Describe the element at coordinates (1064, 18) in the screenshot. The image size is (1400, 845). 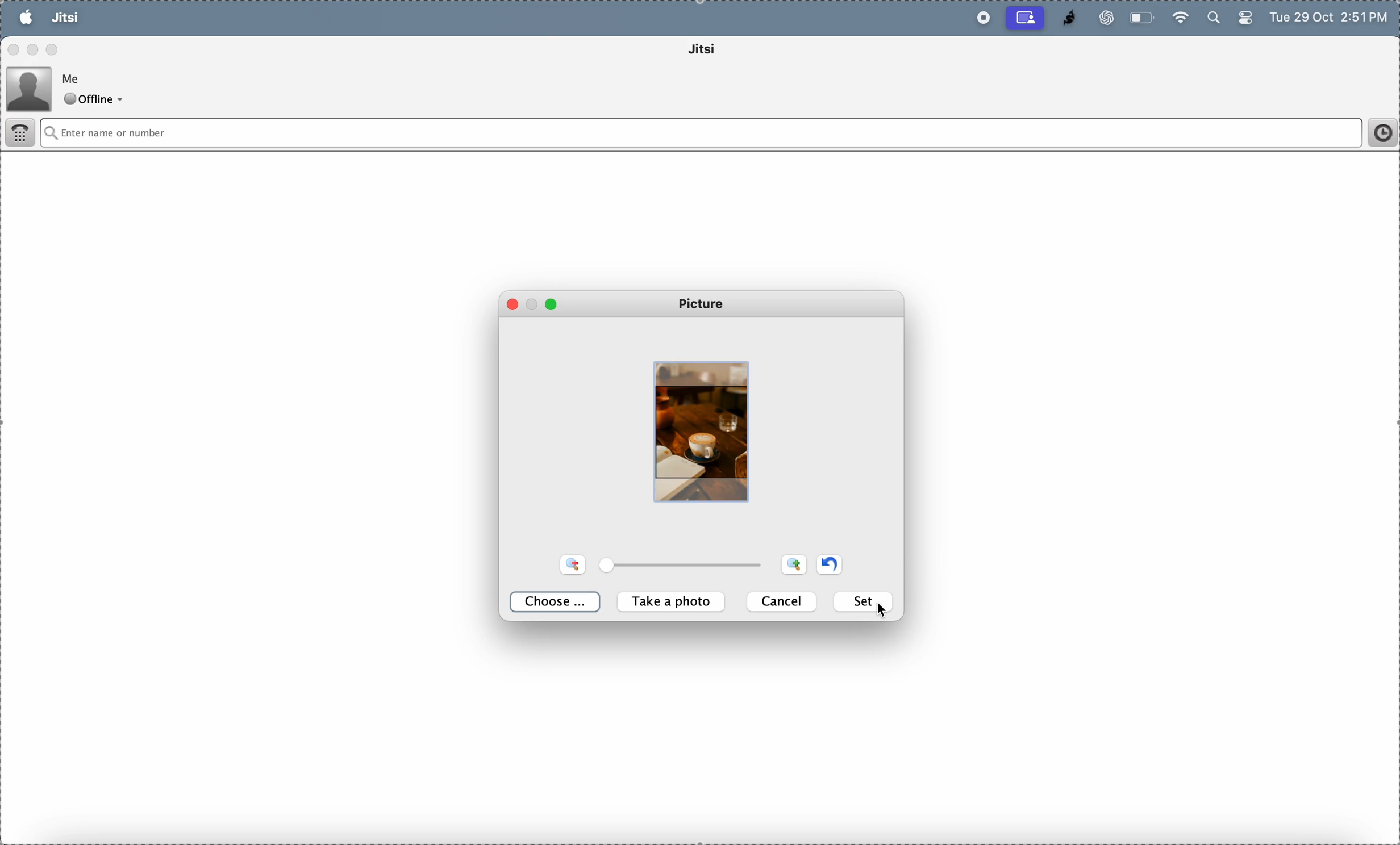
I see `jitsi` at that location.